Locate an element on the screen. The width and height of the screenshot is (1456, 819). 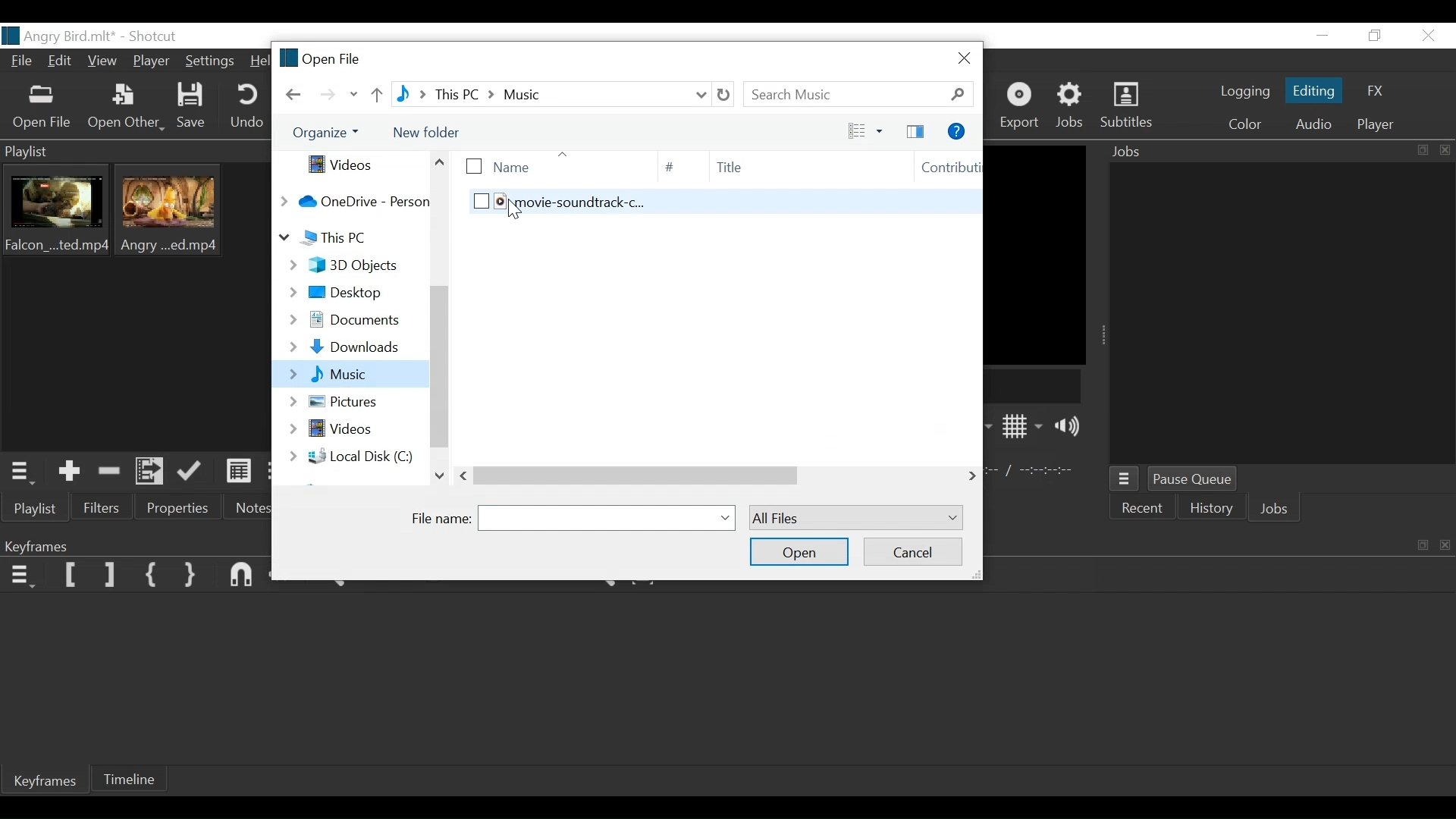
Properties is located at coordinates (172, 508).